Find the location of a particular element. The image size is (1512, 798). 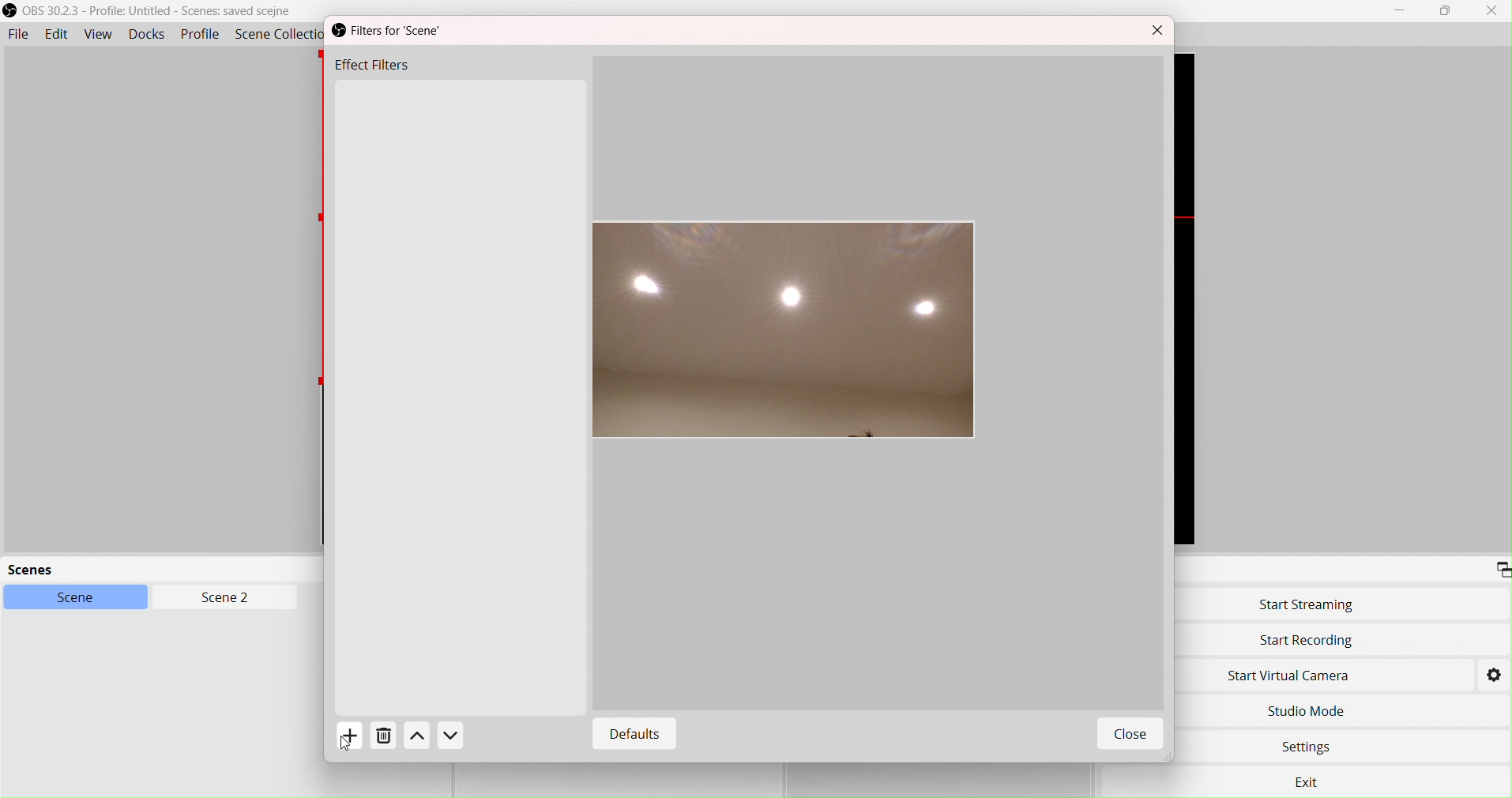

Settings is located at coordinates (1494, 674).